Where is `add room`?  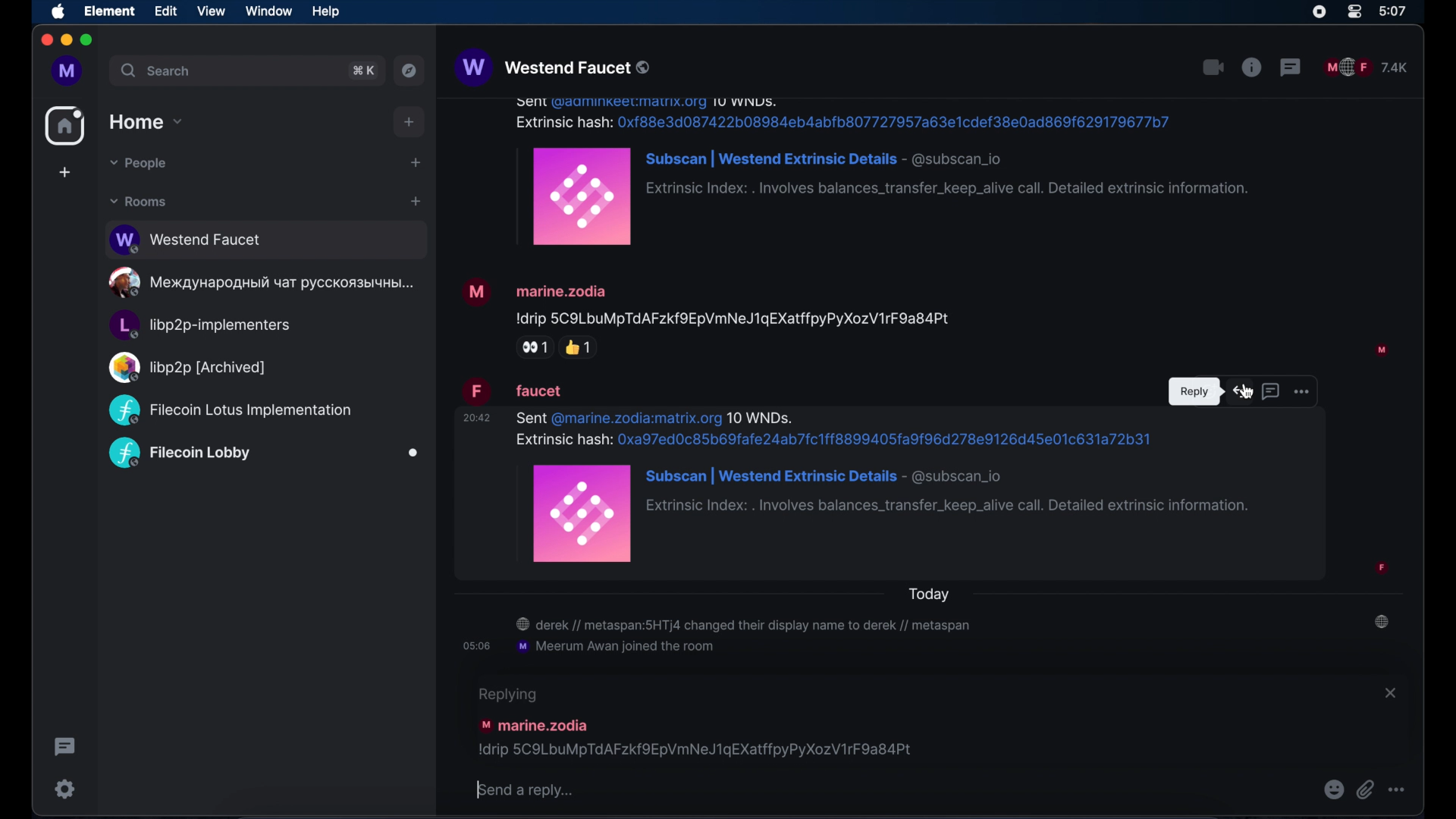 add room is located at coordinates (416, 202).